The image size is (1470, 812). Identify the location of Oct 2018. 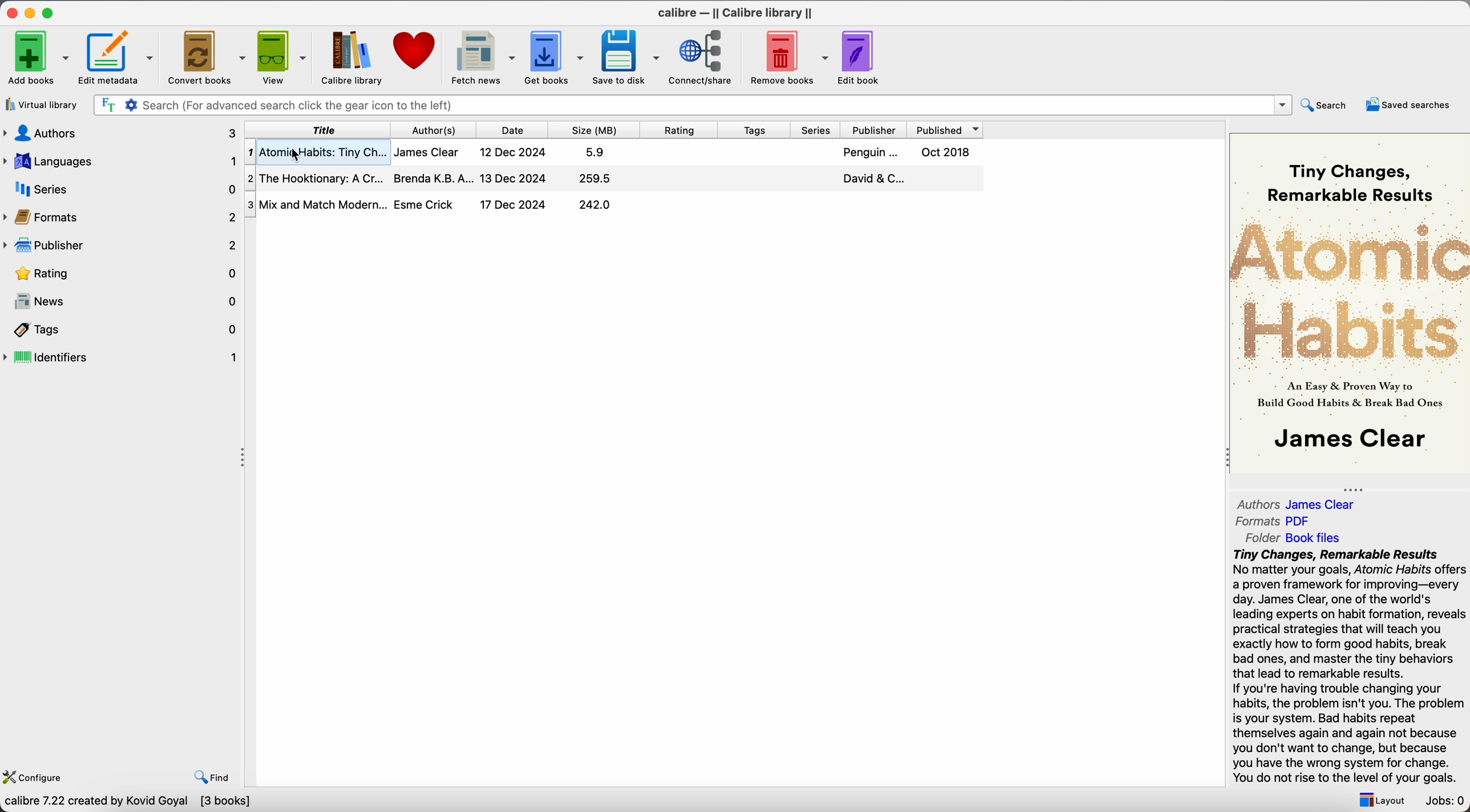
(945, 152).